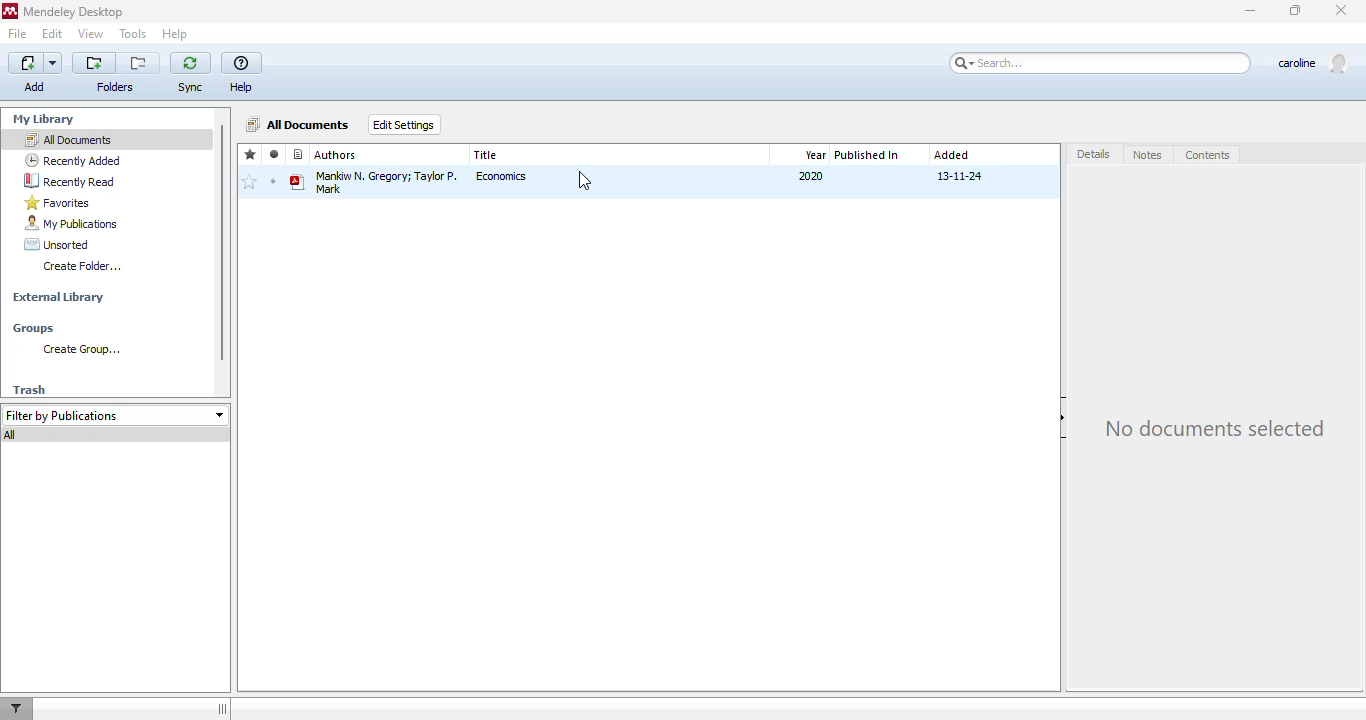 This screenshot has height=720, width=1366. I want to click on add to favorites, so click(248, 183).